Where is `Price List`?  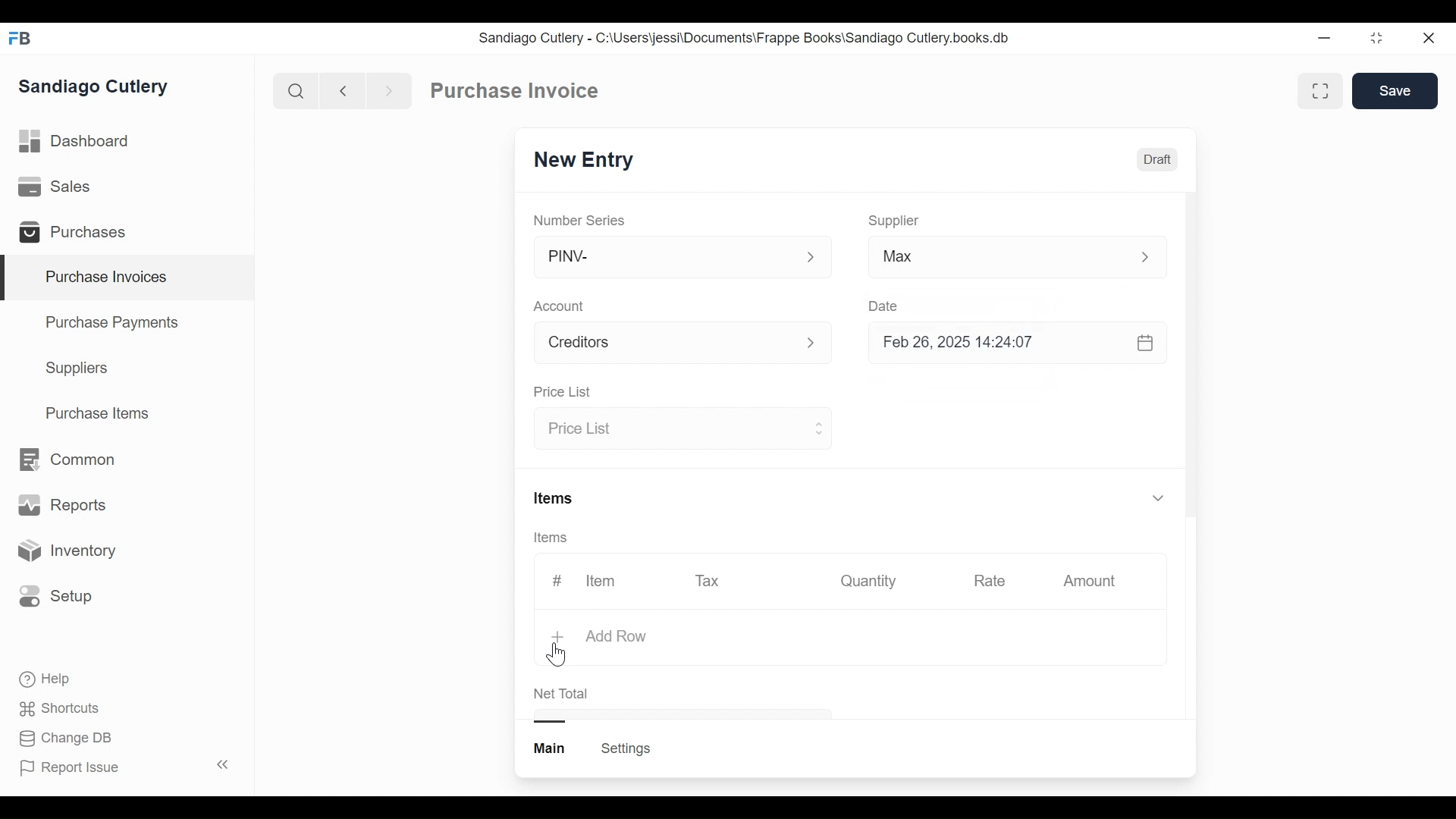
Price List is located at coordinates (561, 393).